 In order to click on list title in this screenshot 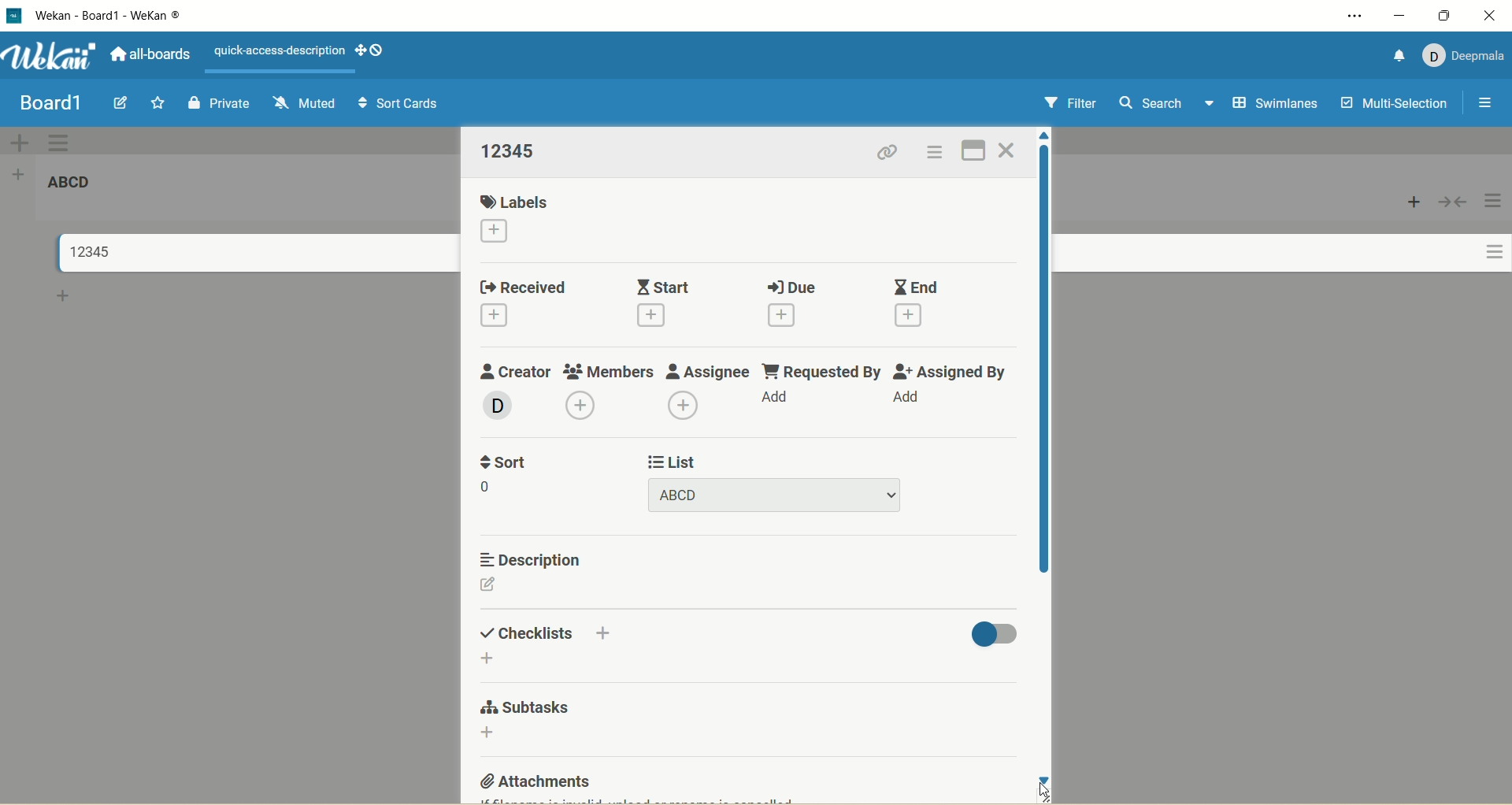, I will do `click(77, 187)`.